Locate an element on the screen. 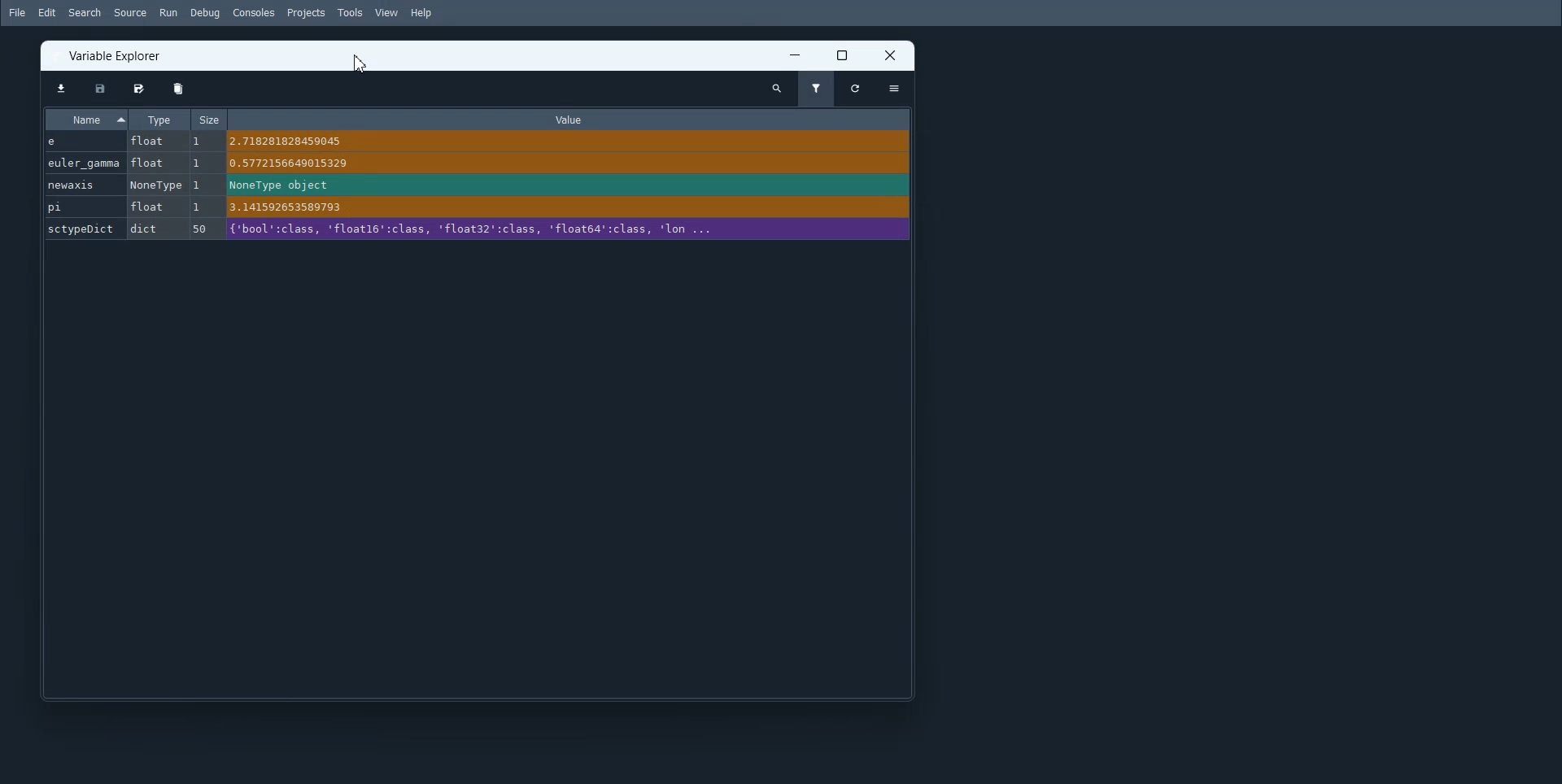 The height and width of the screenshot is (784, 1562). Cursor is located at coordinates (360, 64).